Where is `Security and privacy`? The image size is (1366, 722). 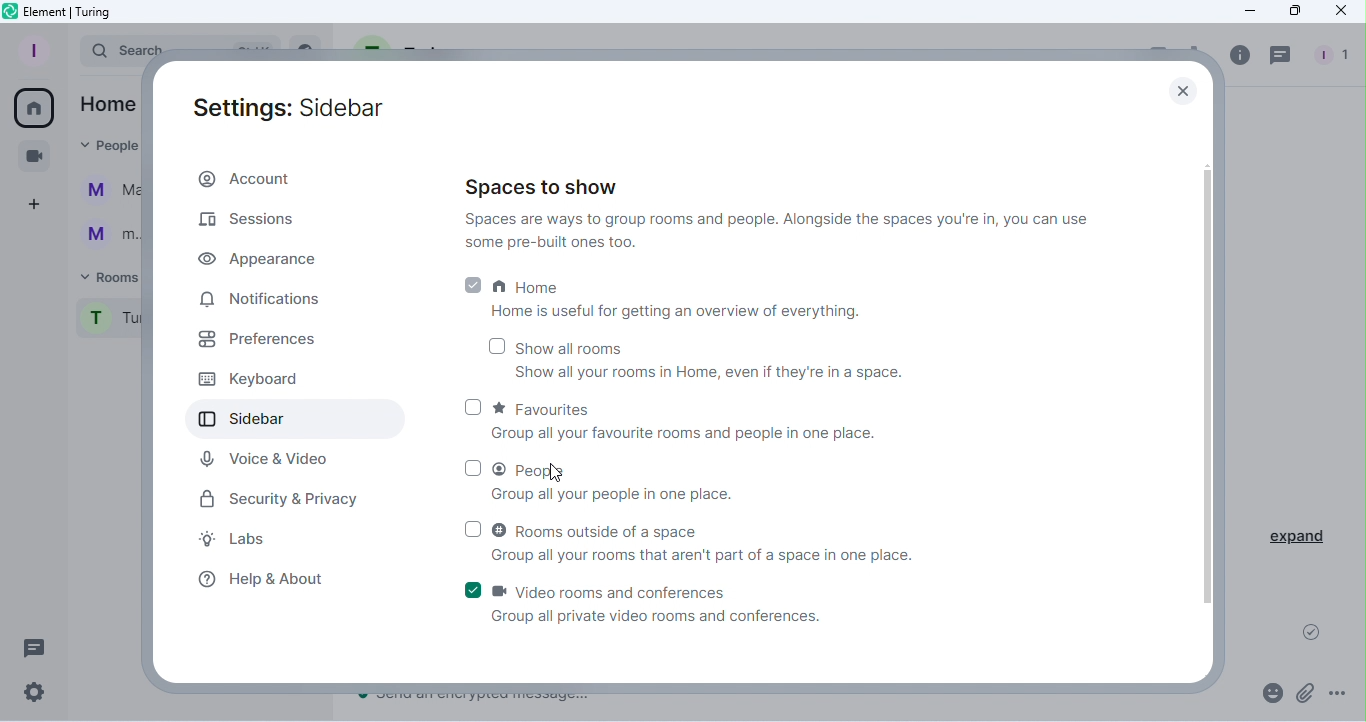
Security and privacy is located at coordinates (275, 496).